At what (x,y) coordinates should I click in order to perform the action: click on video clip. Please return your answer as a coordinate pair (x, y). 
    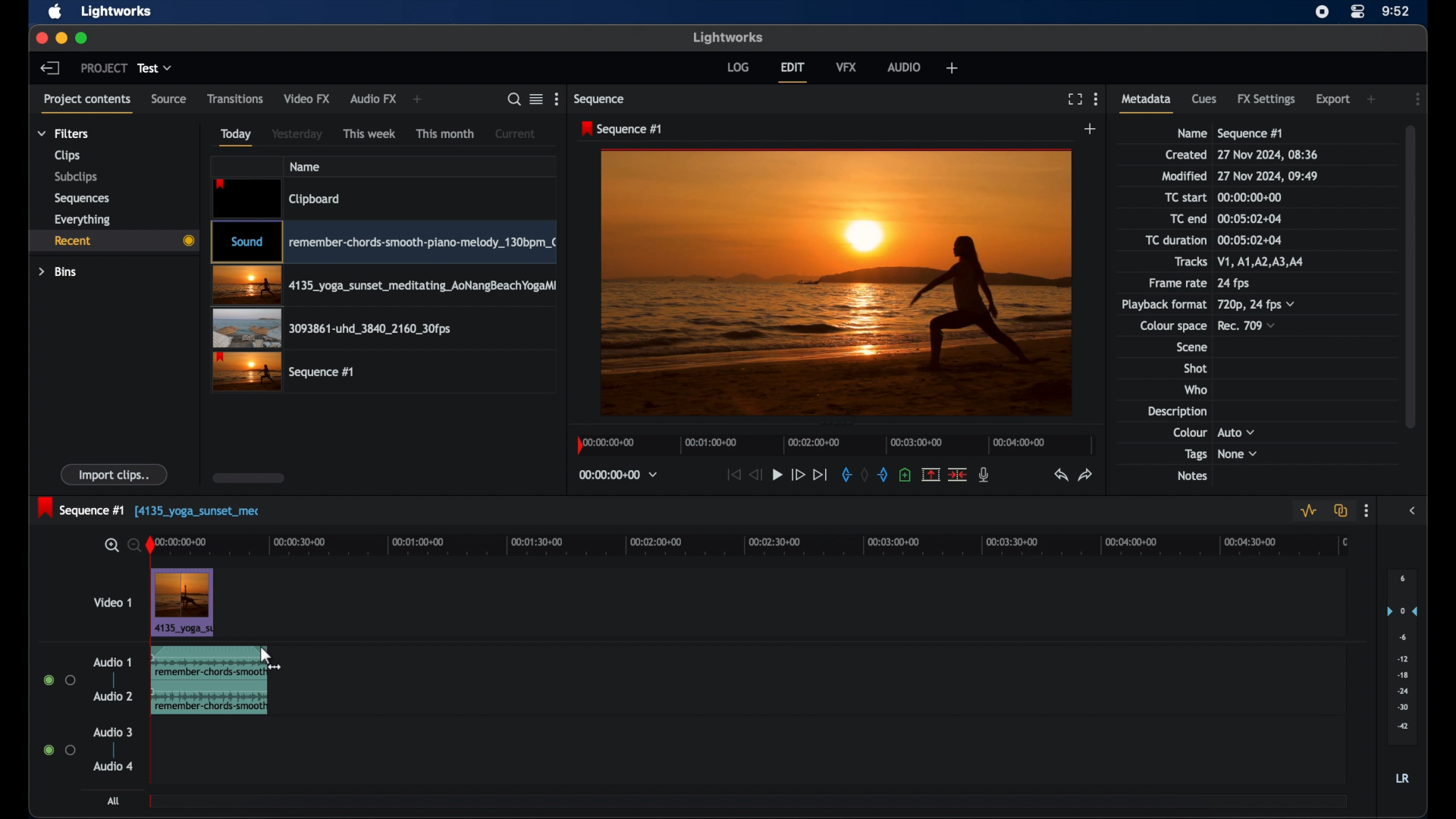
    Looking at the image, I should click on (183, 604).